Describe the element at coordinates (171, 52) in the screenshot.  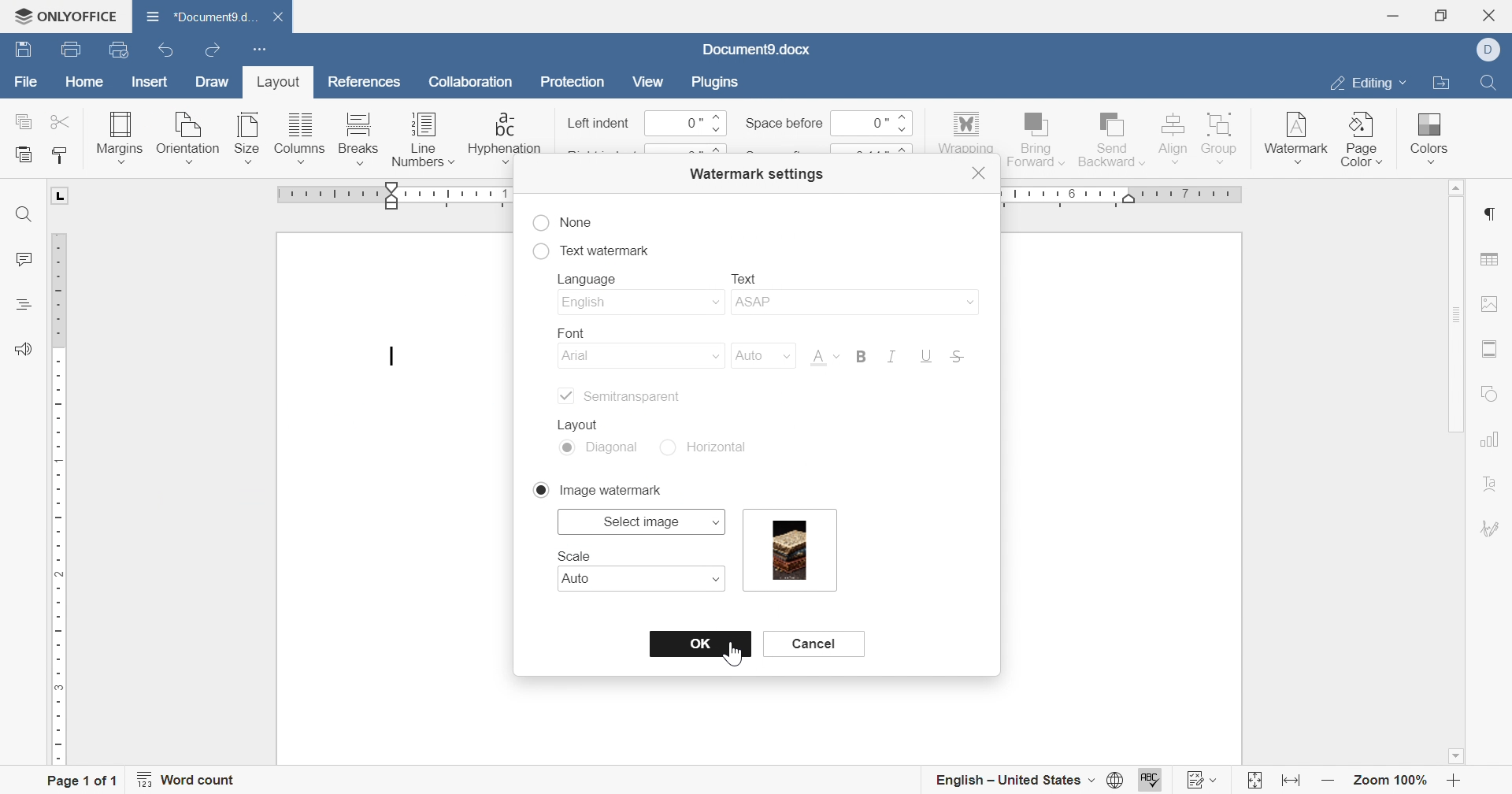
I see `undo` at that location.